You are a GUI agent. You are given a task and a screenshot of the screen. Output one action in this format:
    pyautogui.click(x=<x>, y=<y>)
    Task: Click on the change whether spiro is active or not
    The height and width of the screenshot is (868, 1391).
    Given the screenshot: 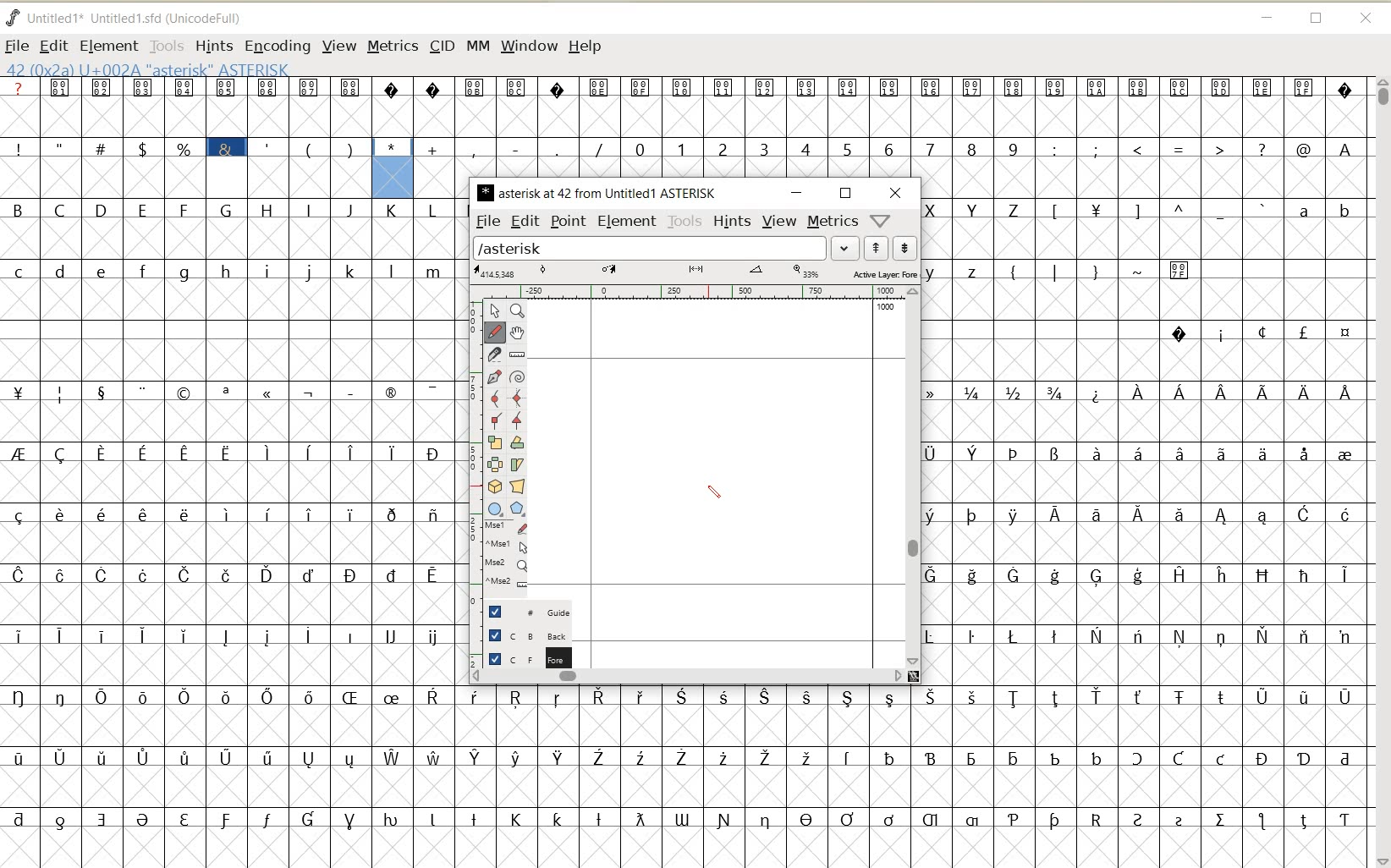 What is the action you would take?
    pyautogui.click(x=519, y=376)
    